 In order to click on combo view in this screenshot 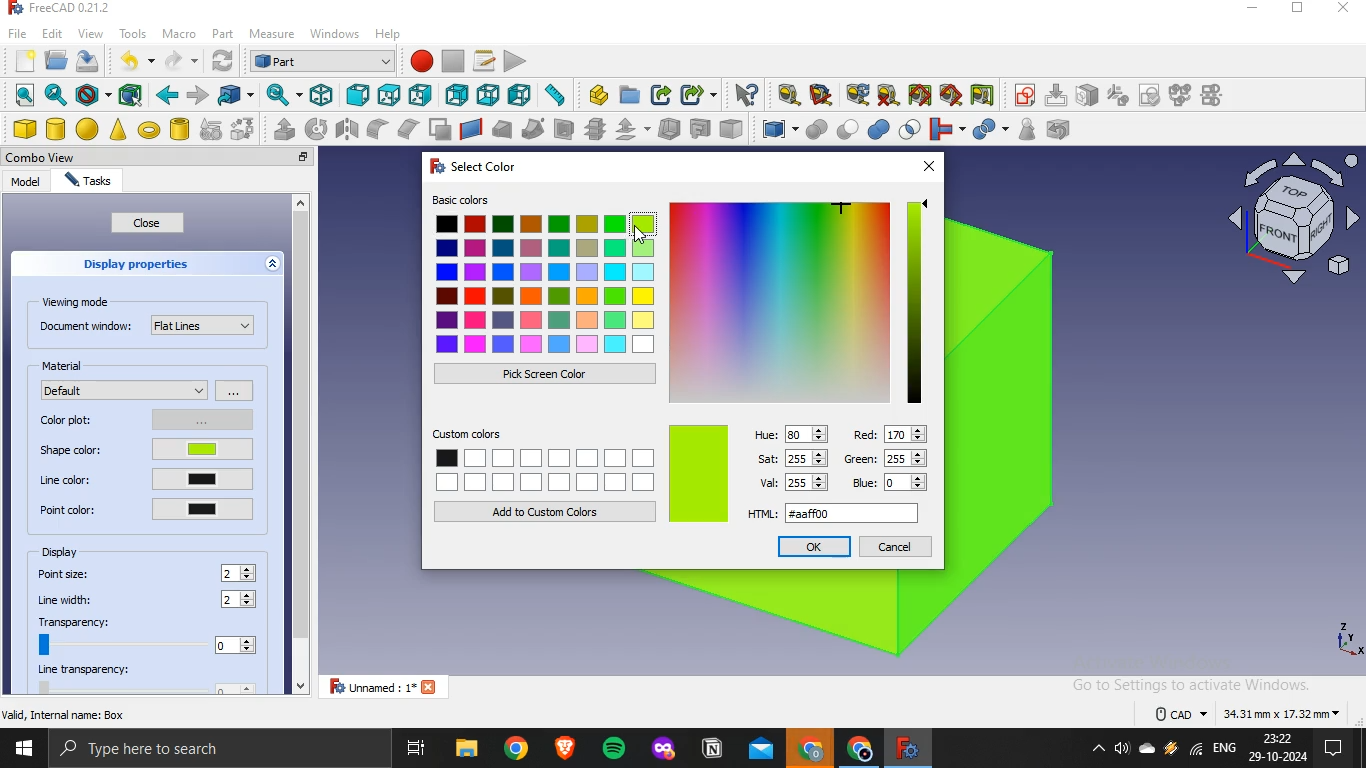, I will do `click(45, 157)`.